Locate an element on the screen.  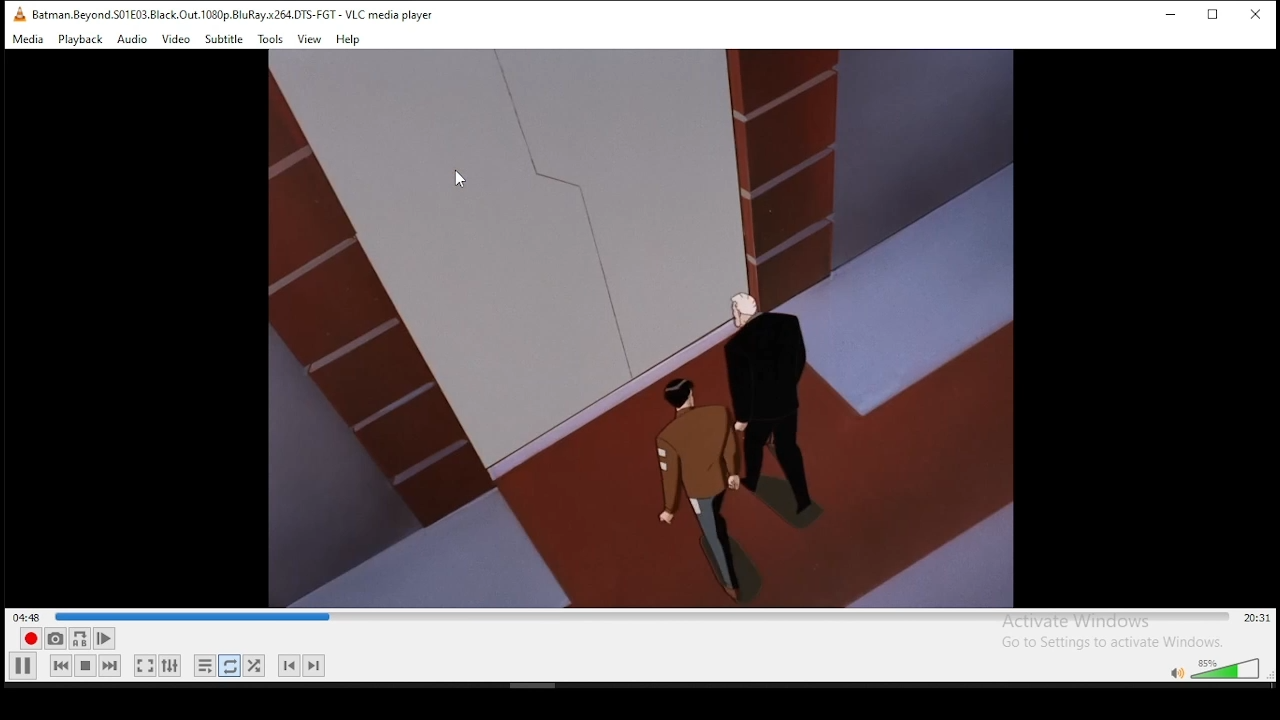
Capture Screenshot  is located at coordinates (55, 638).